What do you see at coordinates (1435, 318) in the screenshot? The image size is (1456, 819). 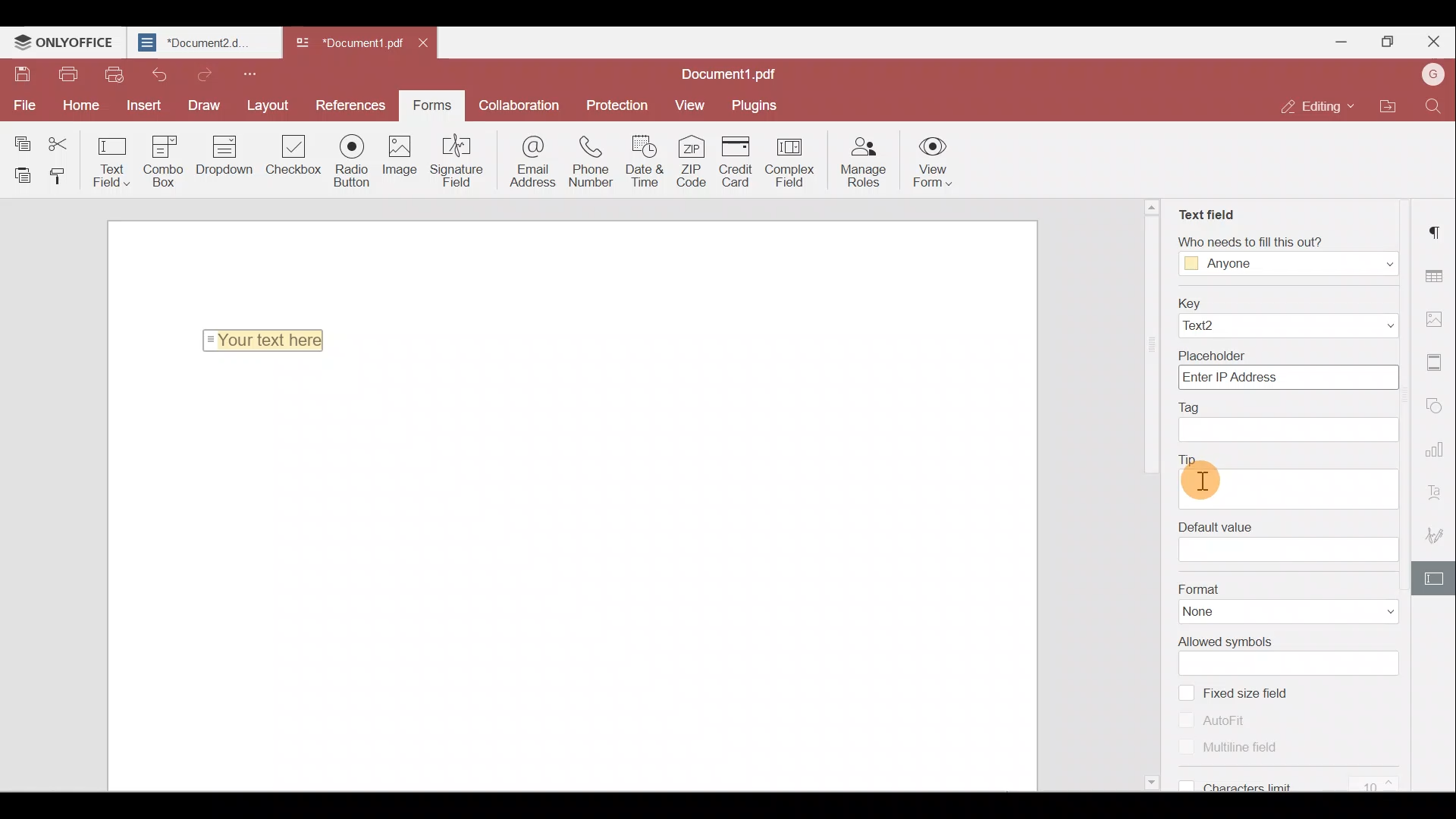 I see `Image settings` at bounding box center [1435, 318].